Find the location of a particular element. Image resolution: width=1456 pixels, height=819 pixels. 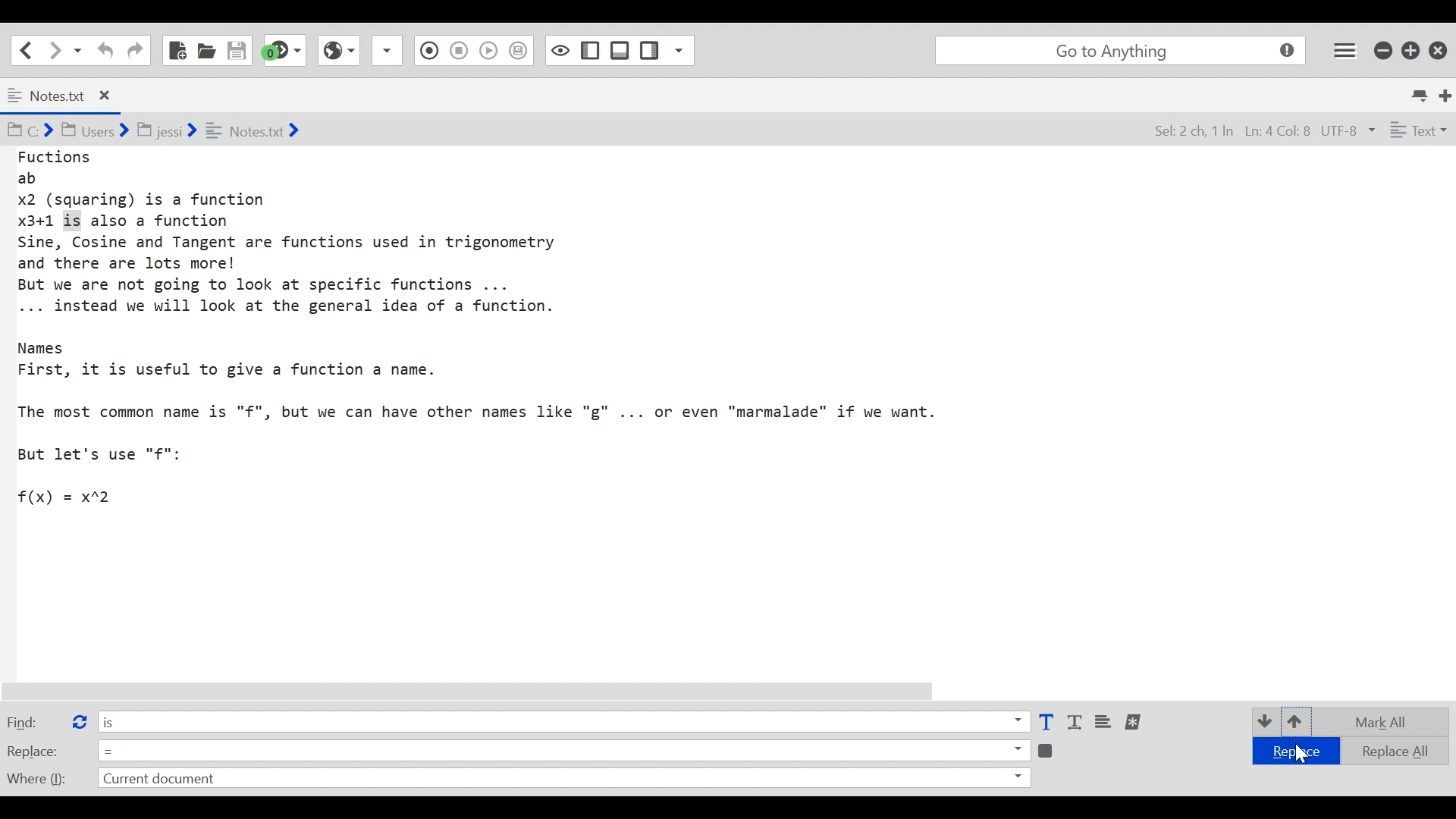

Restore is located at coordinates (1411, 49).